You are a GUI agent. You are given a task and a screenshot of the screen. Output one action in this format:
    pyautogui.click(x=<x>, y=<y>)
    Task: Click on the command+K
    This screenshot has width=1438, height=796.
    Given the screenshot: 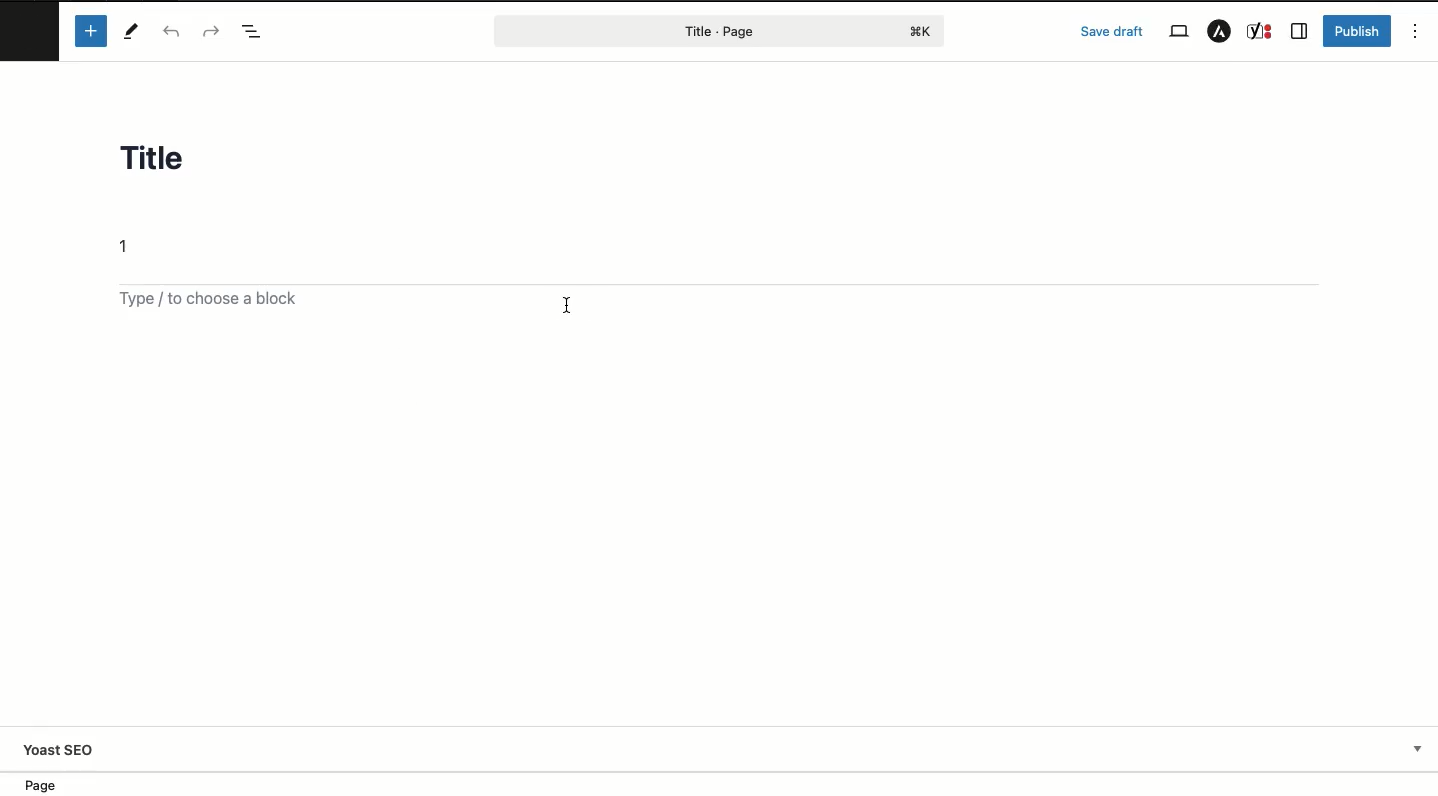 What is the action you would take?
    pyautogui.click(x=922, y=32)
    